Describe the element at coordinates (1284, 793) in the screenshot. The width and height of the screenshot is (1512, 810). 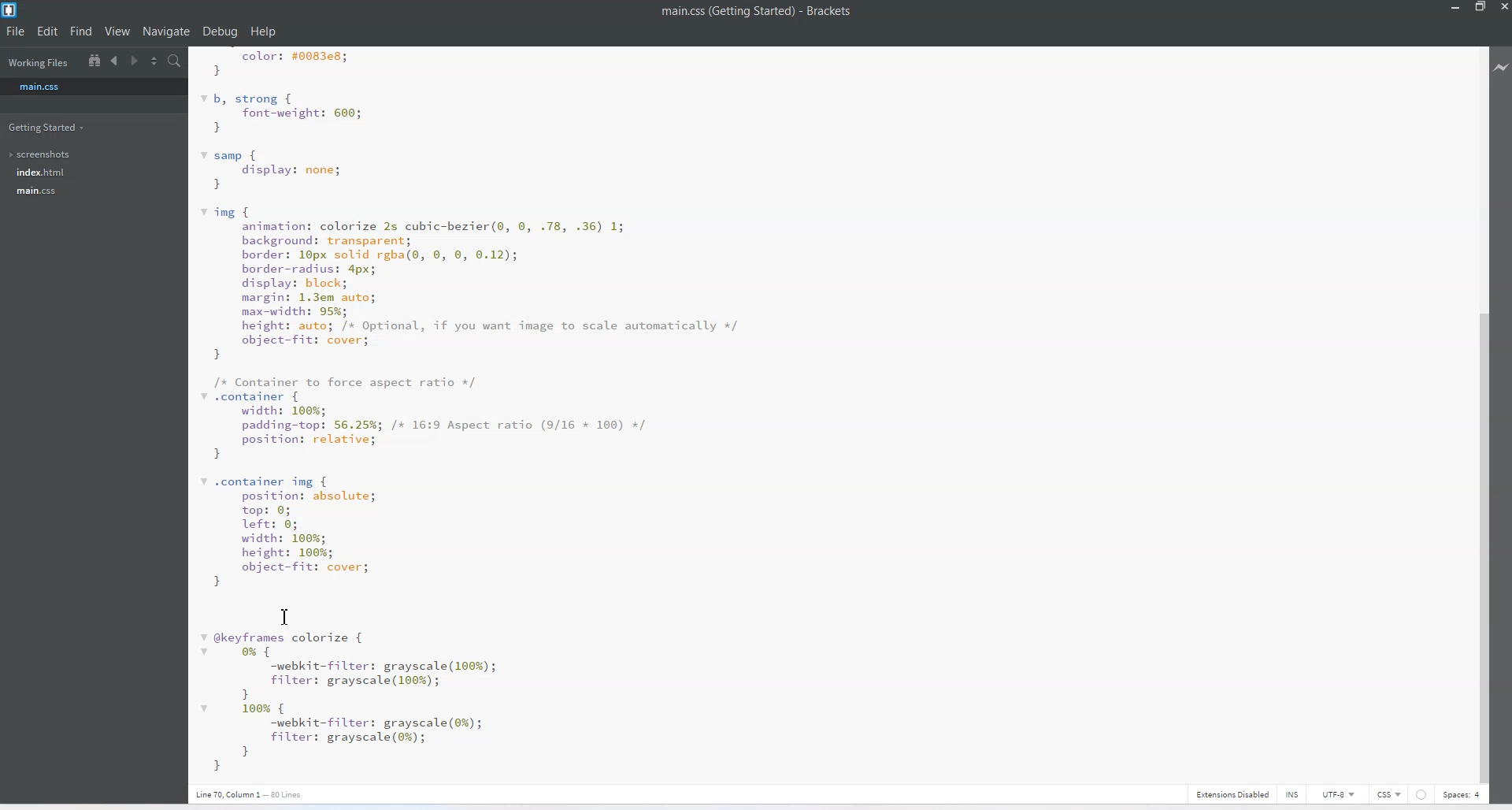
I see `INS` at that location.